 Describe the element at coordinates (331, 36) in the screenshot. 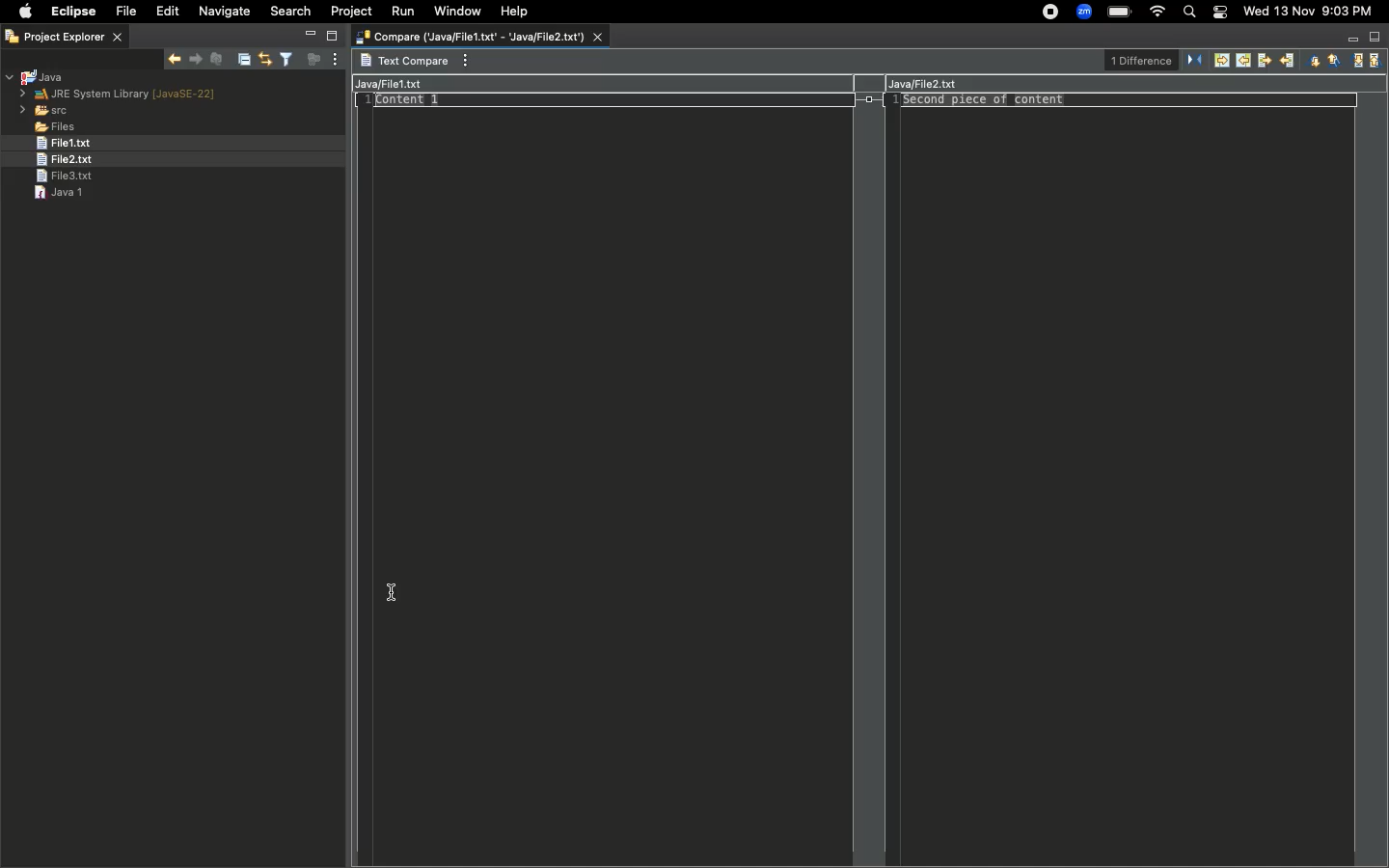

I see `Maximize` at that location.